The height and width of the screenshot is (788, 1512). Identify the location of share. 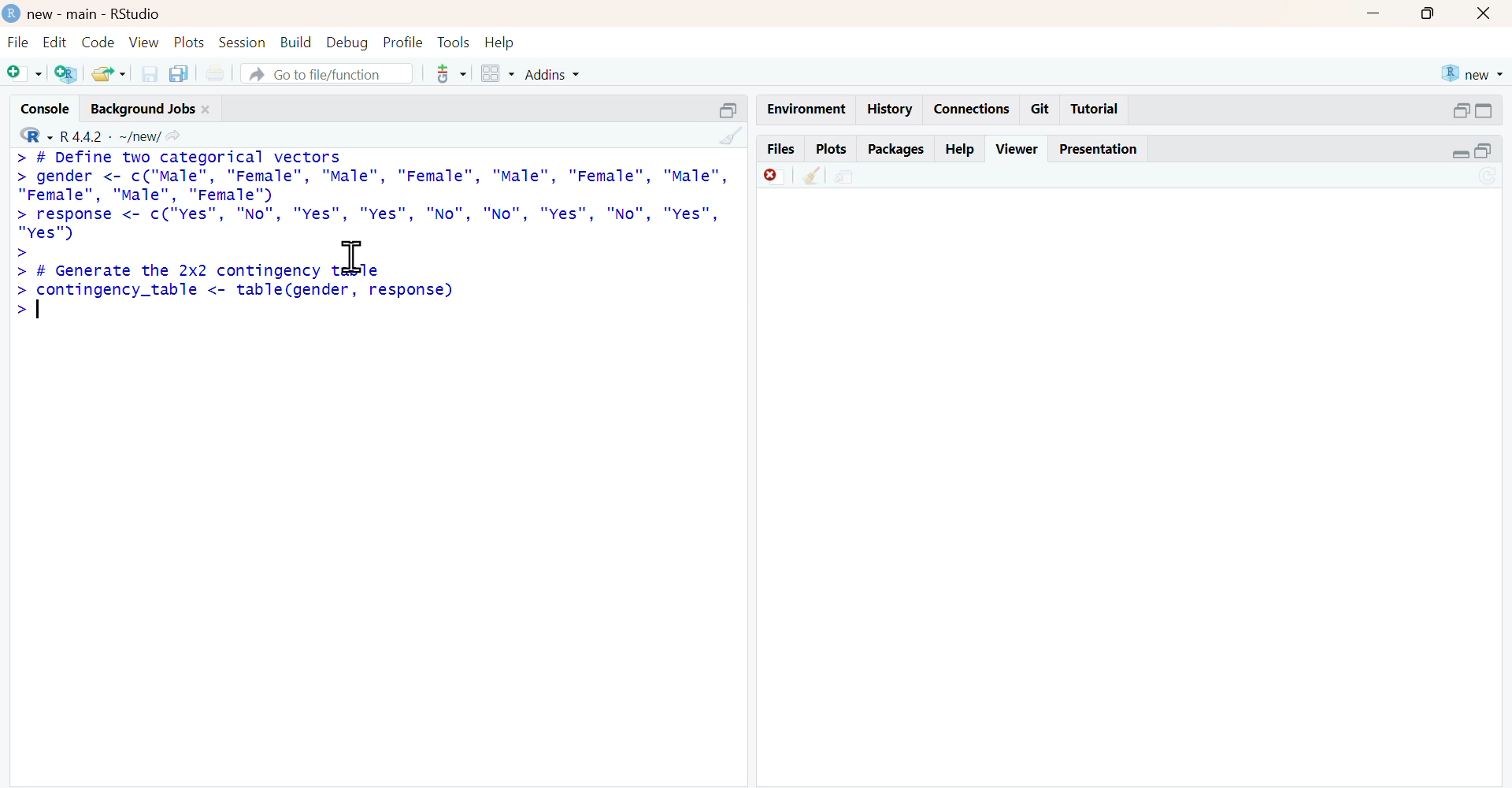
(846, 178).